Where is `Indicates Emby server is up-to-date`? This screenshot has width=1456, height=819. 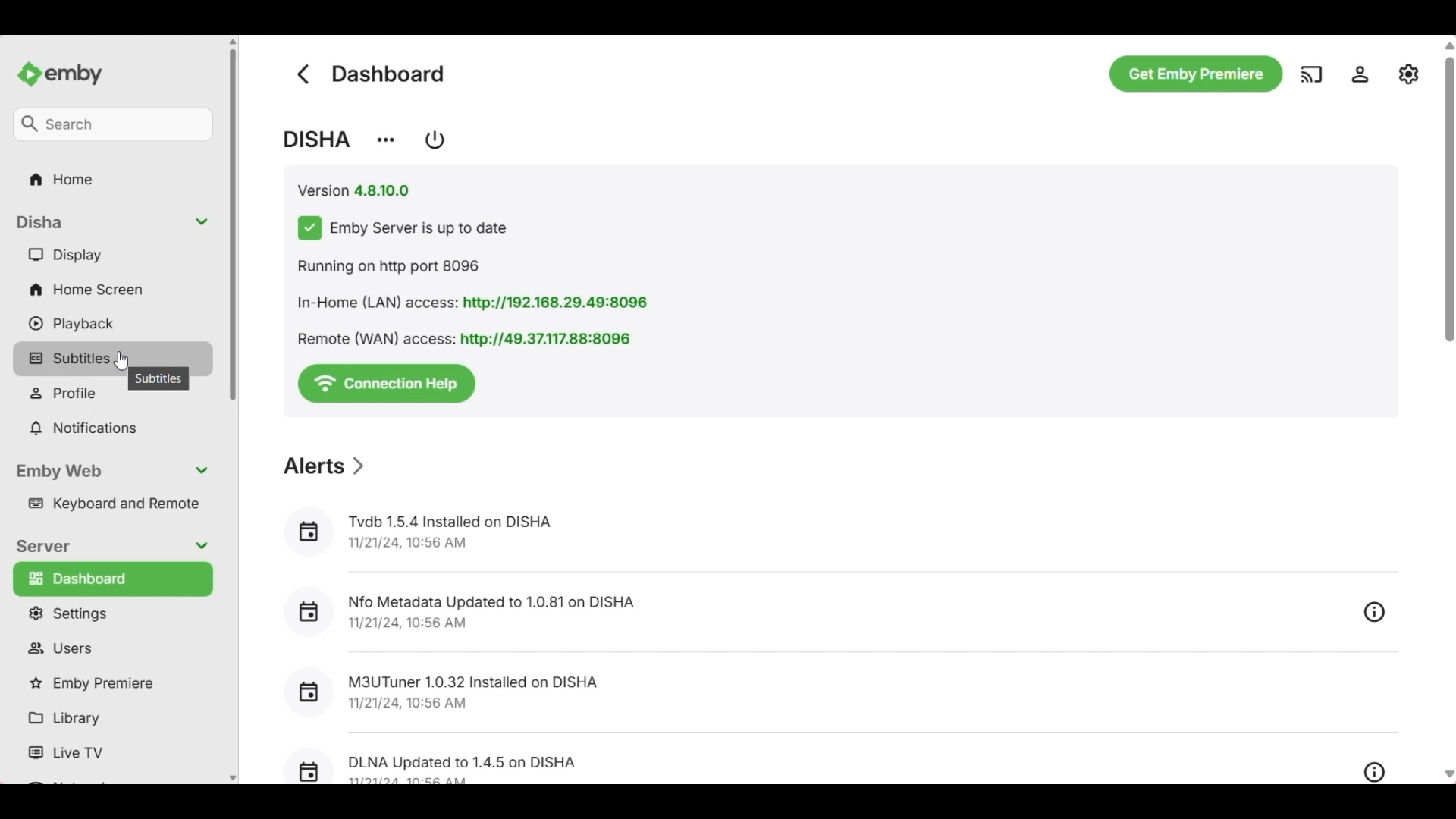
Indicates Emby server is up-to-date is located at coordinates (404, 228).